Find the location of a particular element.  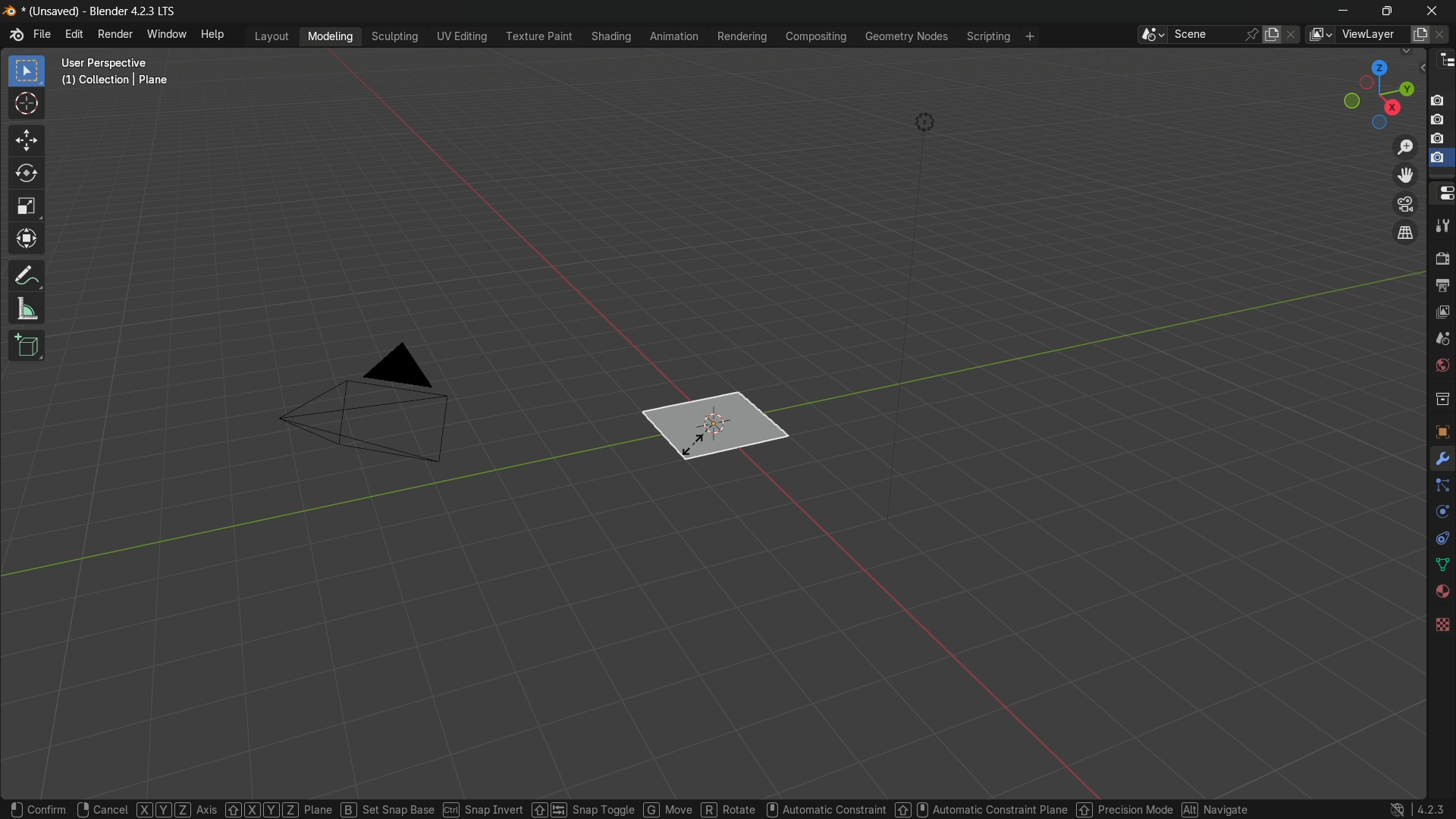

tools is located at coordinates (1442, 227).